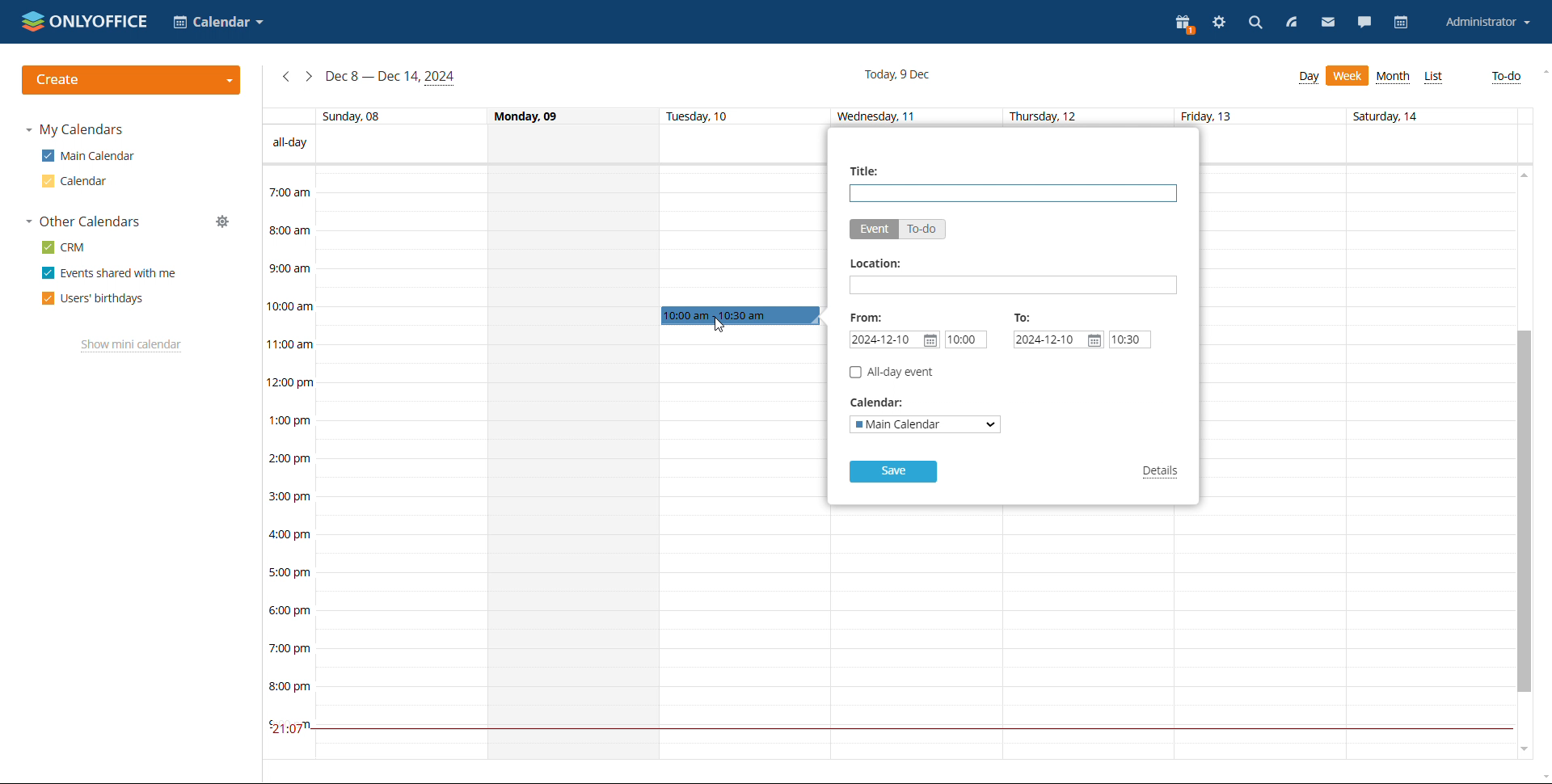 The height and width of the screenshot is (784, 1552). I want to click on scroll up, so click(1542, 72).